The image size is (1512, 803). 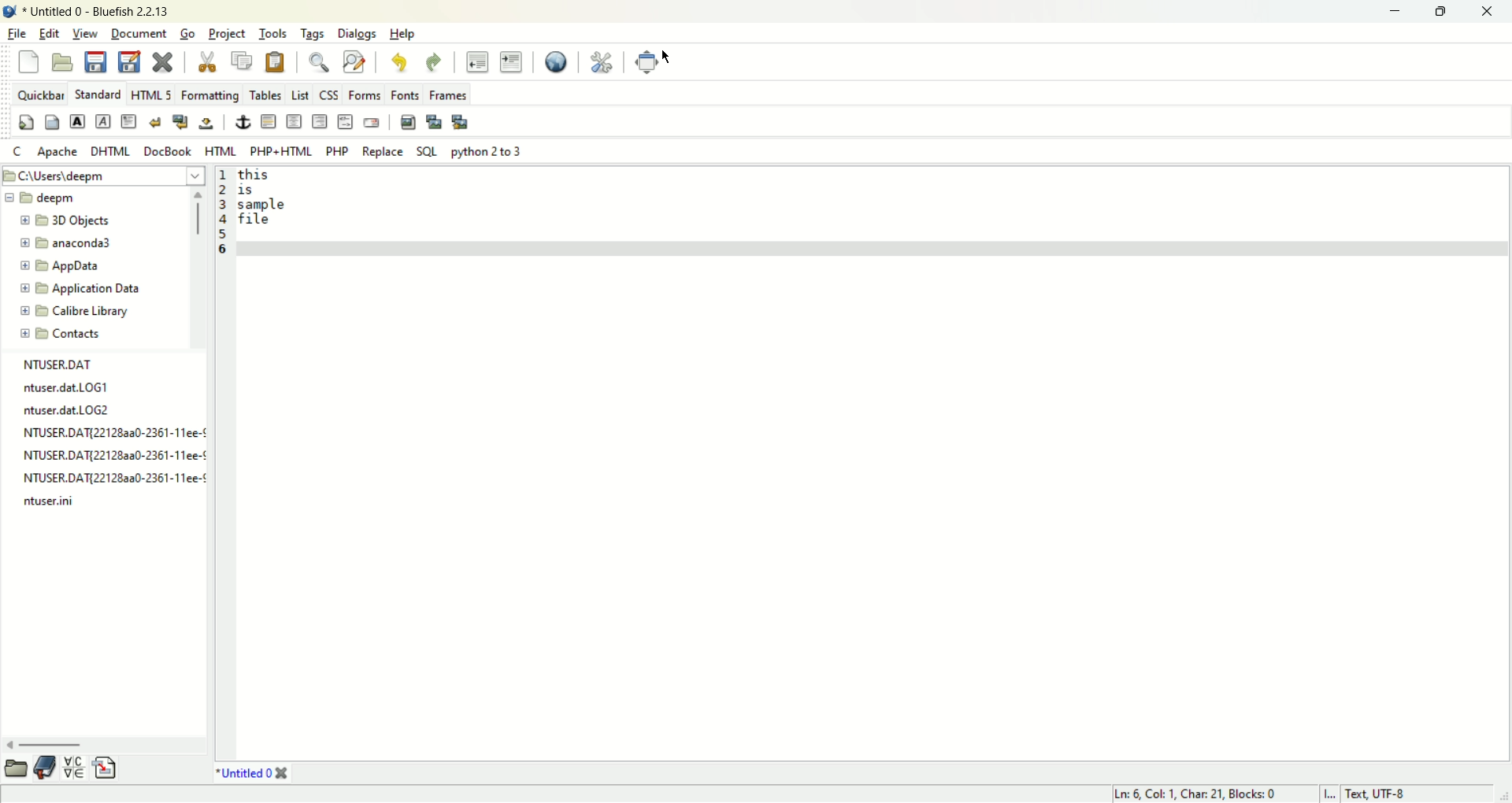 What do you see at coordinates (266, 94) in the screenshot?
I see `tables` at bounding box center [266, 94].